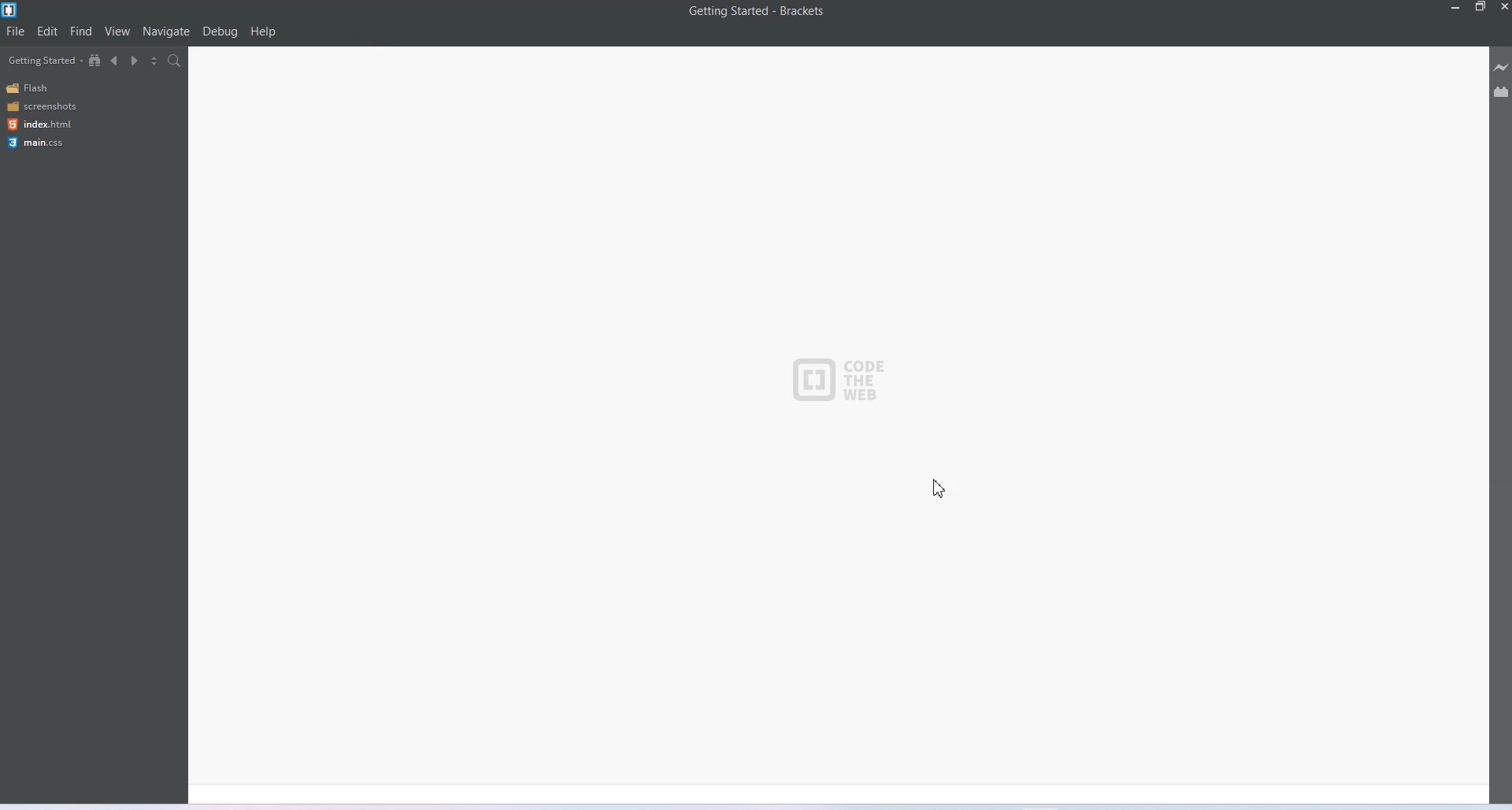 This screenshot has width=1512, height=810. What do you see at coordinates (1480, 8) in the screenshot?
I see `maximize` at bounding box center [1480, 8].